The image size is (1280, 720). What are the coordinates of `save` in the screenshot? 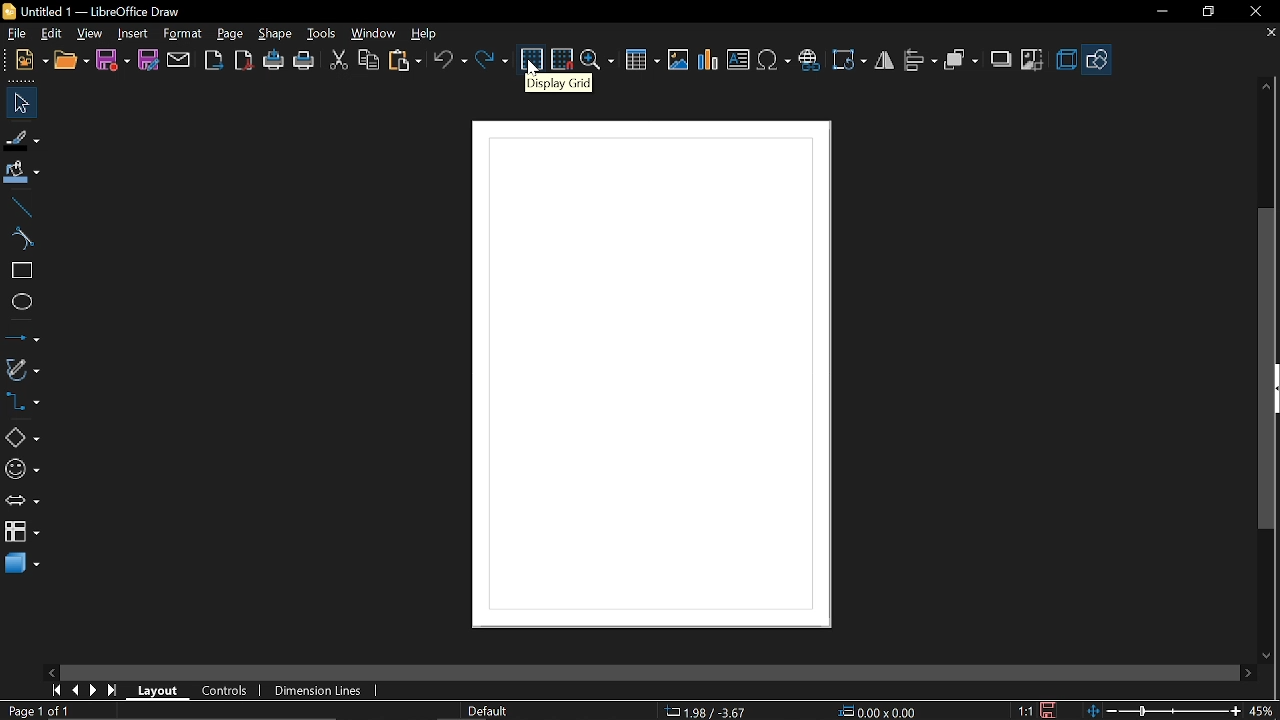 It's located at (112, 61).